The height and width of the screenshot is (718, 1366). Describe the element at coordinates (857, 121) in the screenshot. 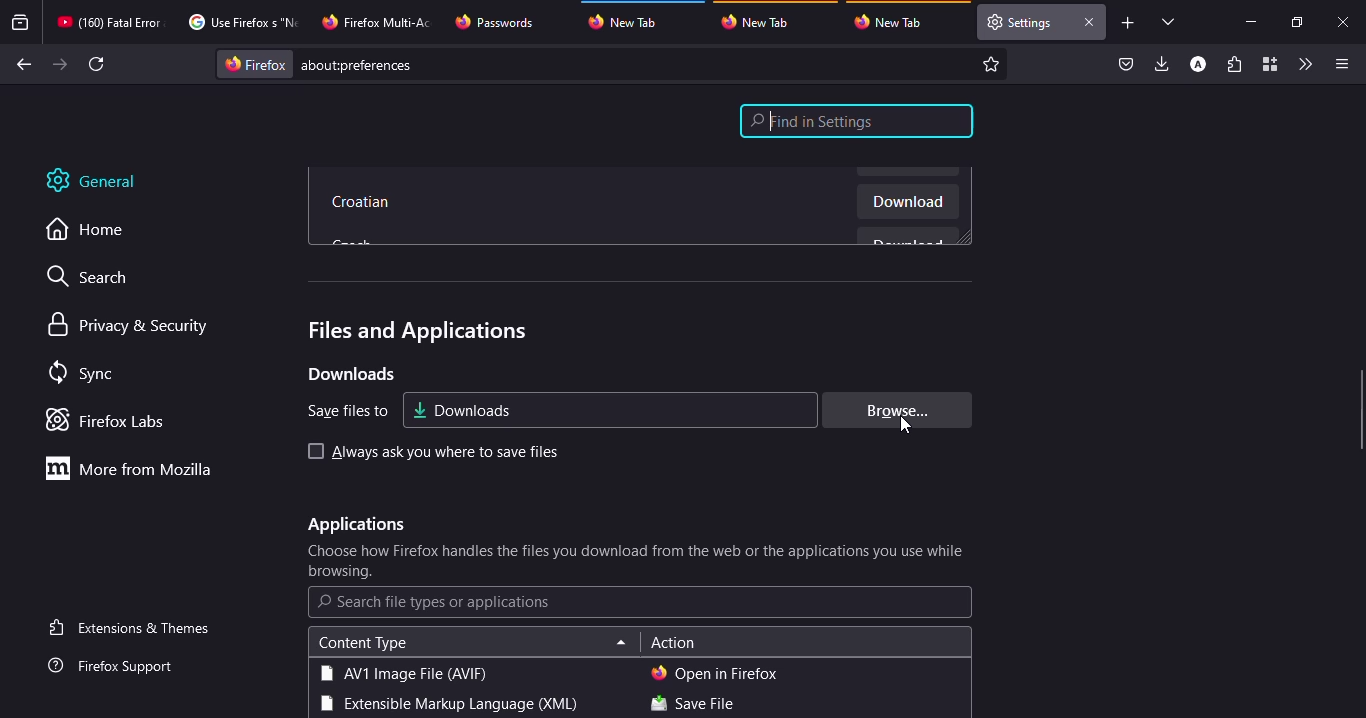

I see `find` at that location.